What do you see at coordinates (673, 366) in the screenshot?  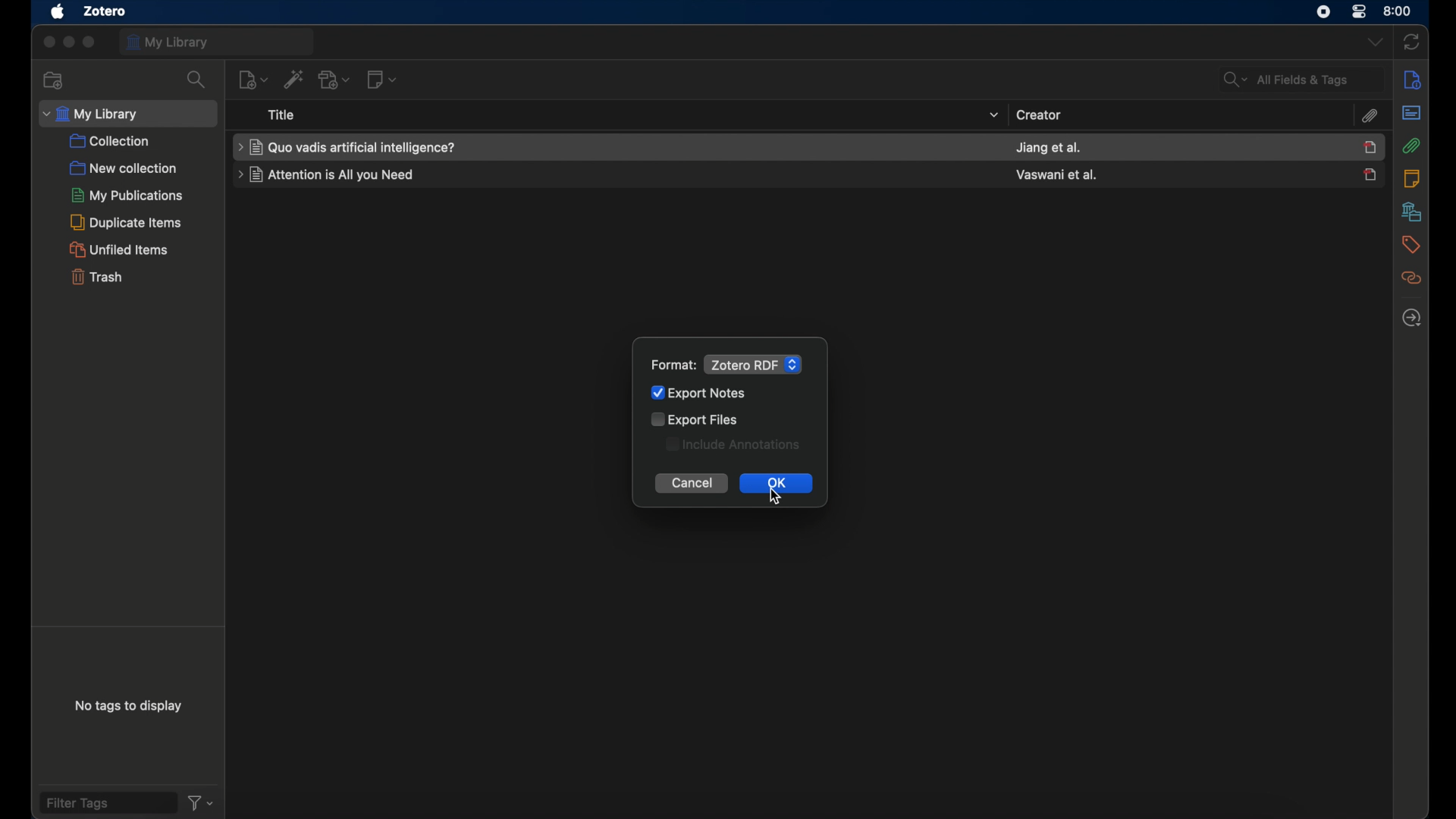 I see `format:` at bounding box center [673, 366].